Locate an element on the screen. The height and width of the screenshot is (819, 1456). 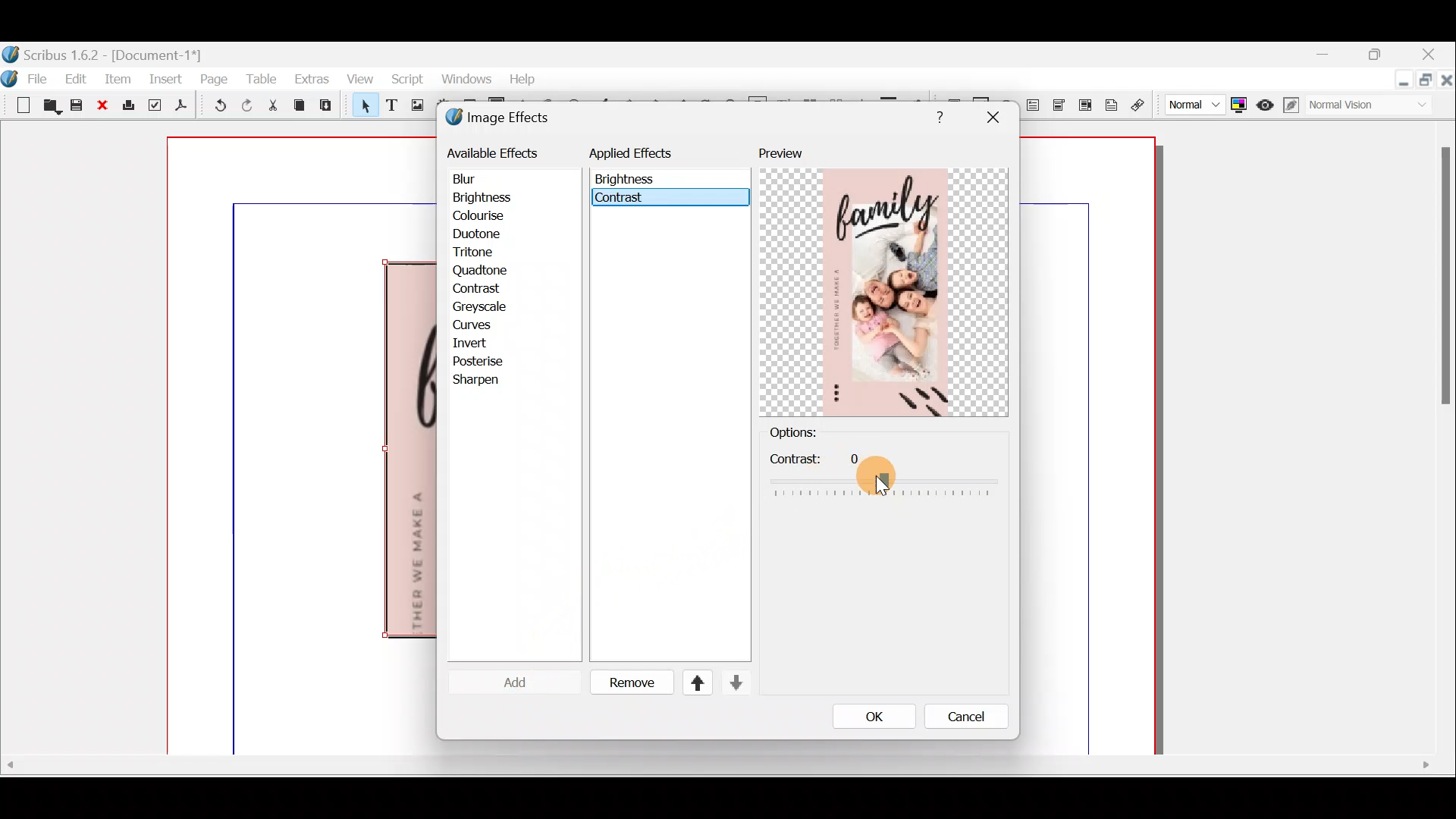
Preflight verifier is located at coordinates (153, 108).